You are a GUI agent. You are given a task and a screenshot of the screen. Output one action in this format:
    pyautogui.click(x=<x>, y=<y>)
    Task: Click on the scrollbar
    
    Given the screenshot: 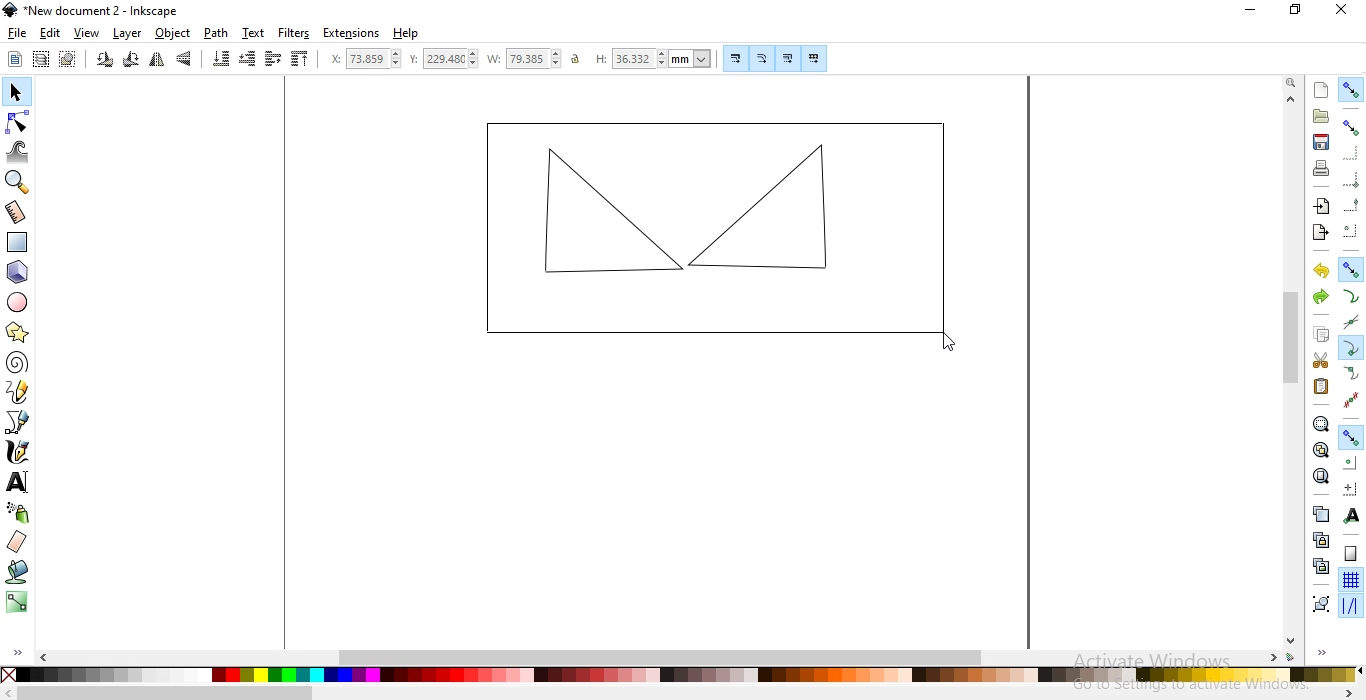 What is the action you would take?
    pyautogui.click(x=669, y=656)
    